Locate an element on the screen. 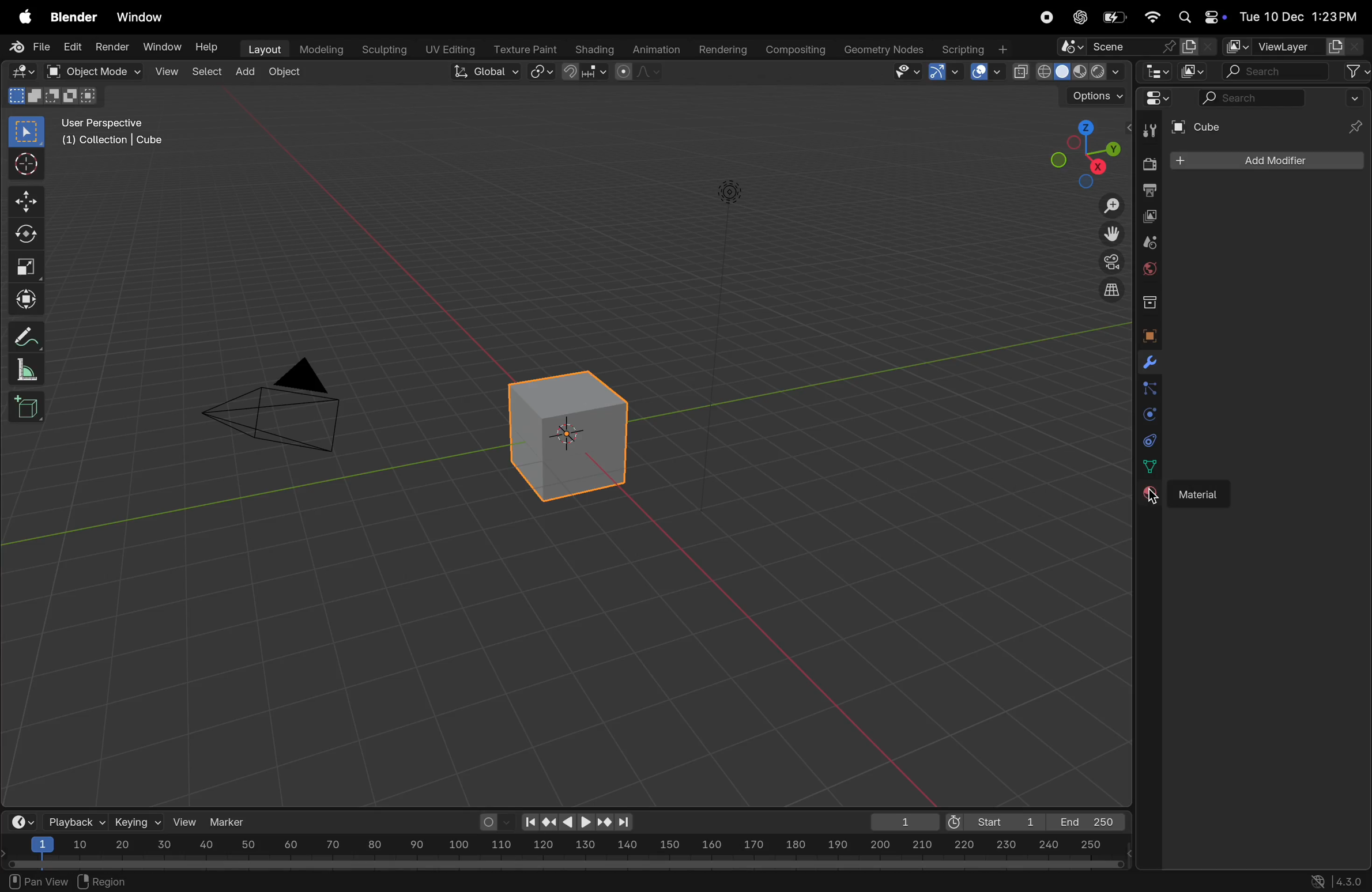 This screenshot has width=1372, height=892. apple menu is located at coordinates (20, 18).